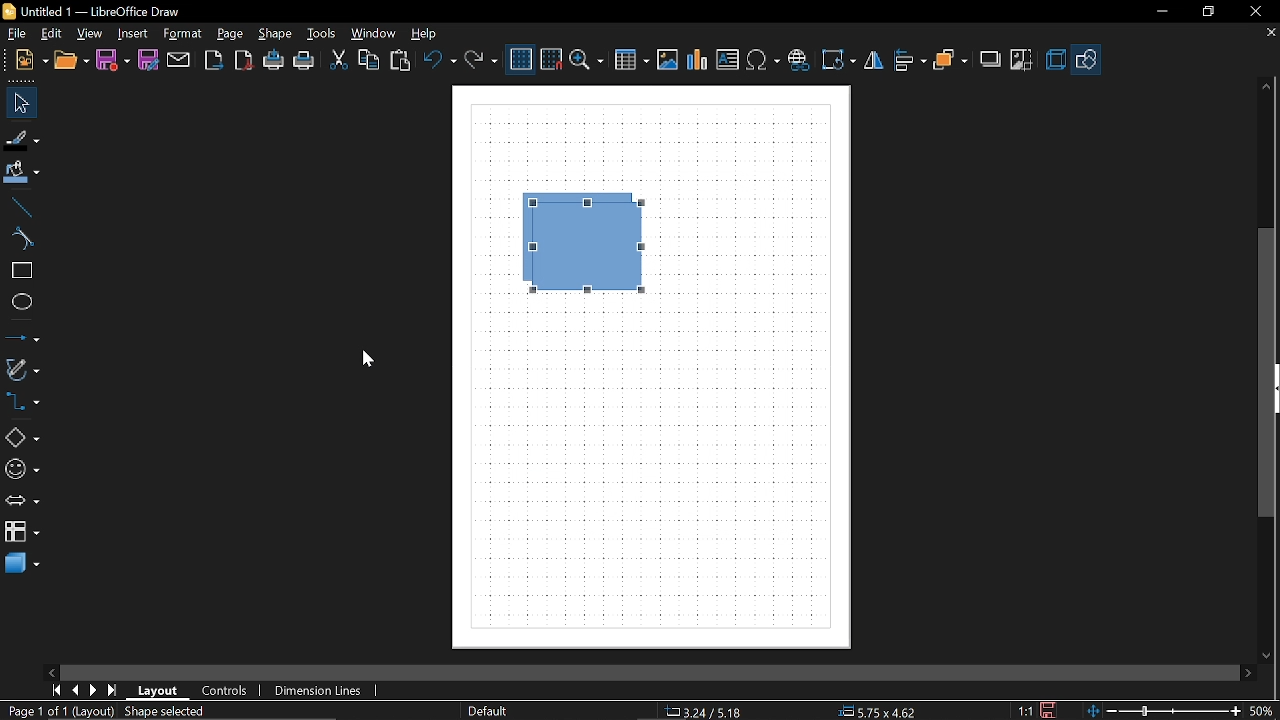  Describe the element at coordinates (667, 60) in the screenshot. I see `Insert image` at that location.